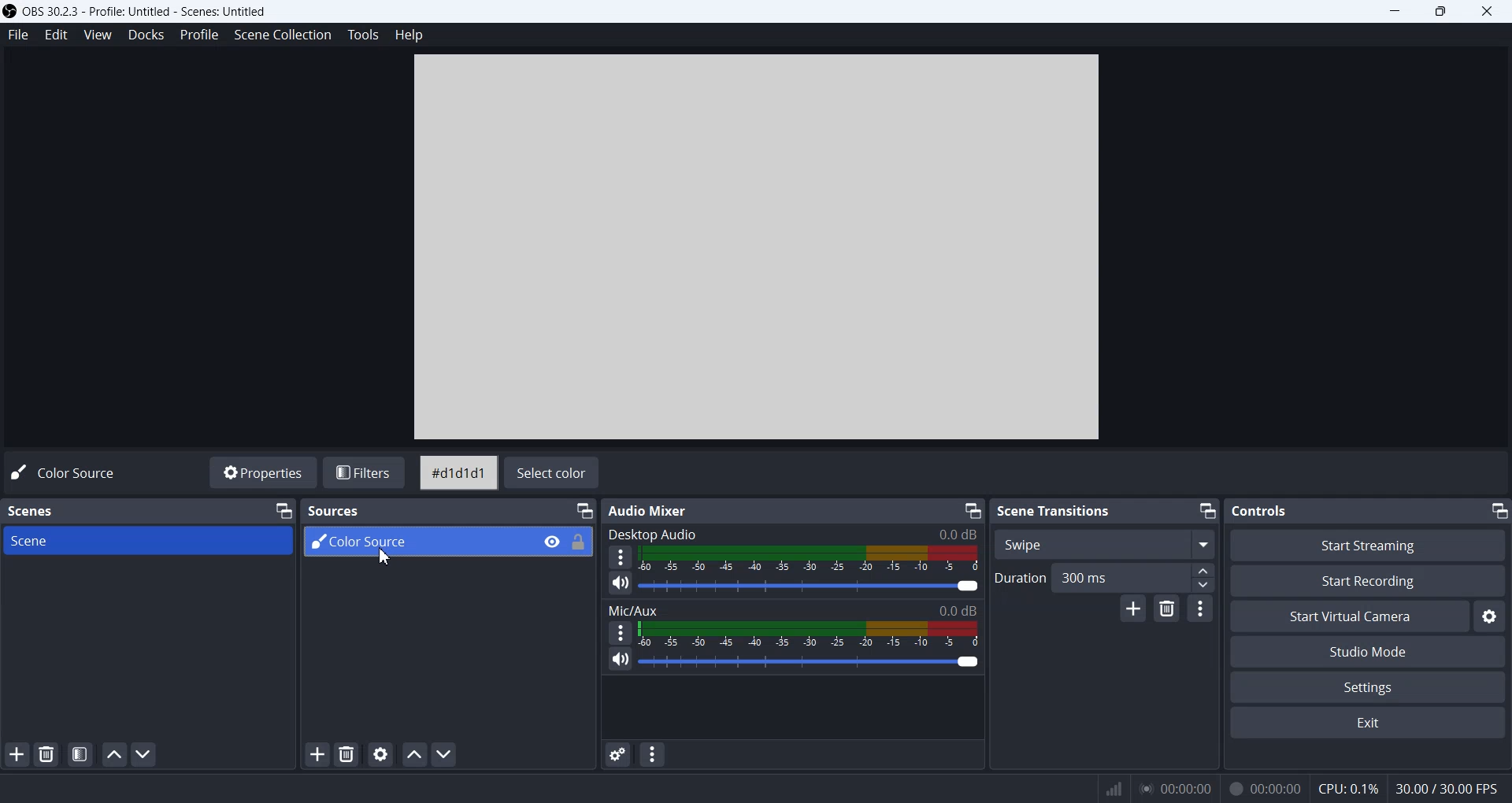  What do you see at coordinates (620, 632) in the screenshot?
I see `More` at bounding box center [620, 632].